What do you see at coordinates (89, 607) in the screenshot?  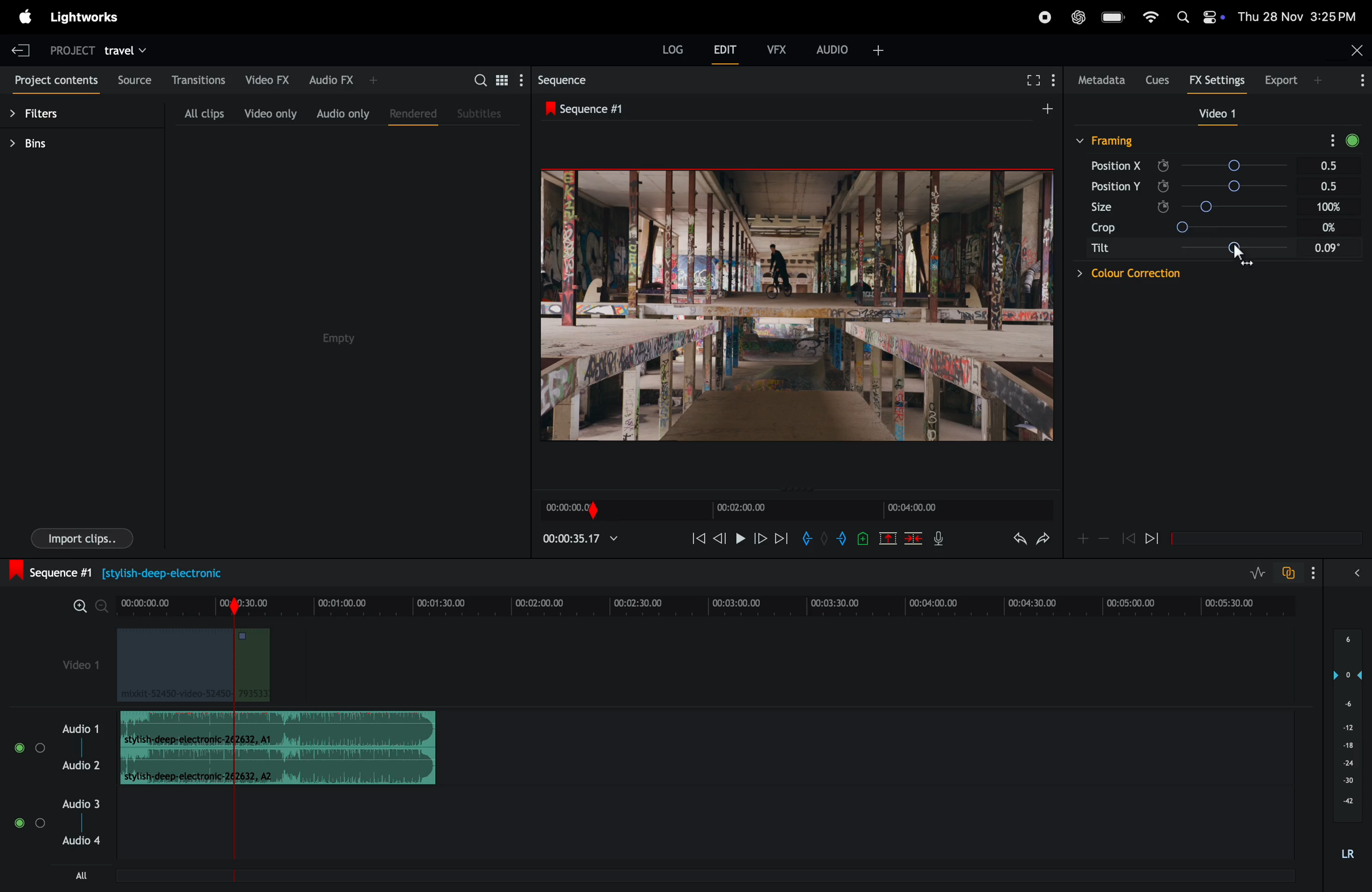 I see `zoom in zoom out` at bounding box center [89, 607].